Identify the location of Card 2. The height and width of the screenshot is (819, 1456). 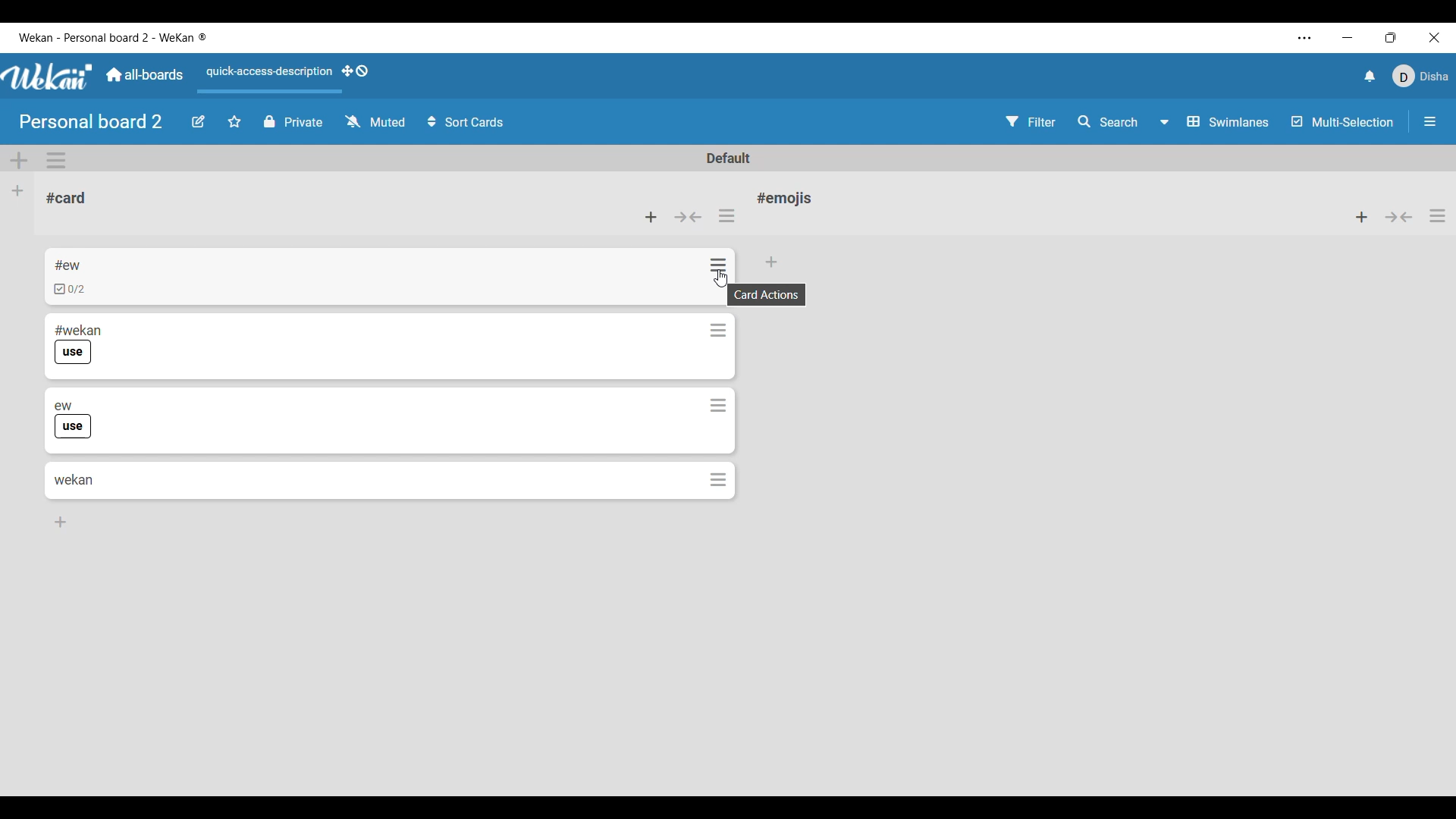
(127, 328).